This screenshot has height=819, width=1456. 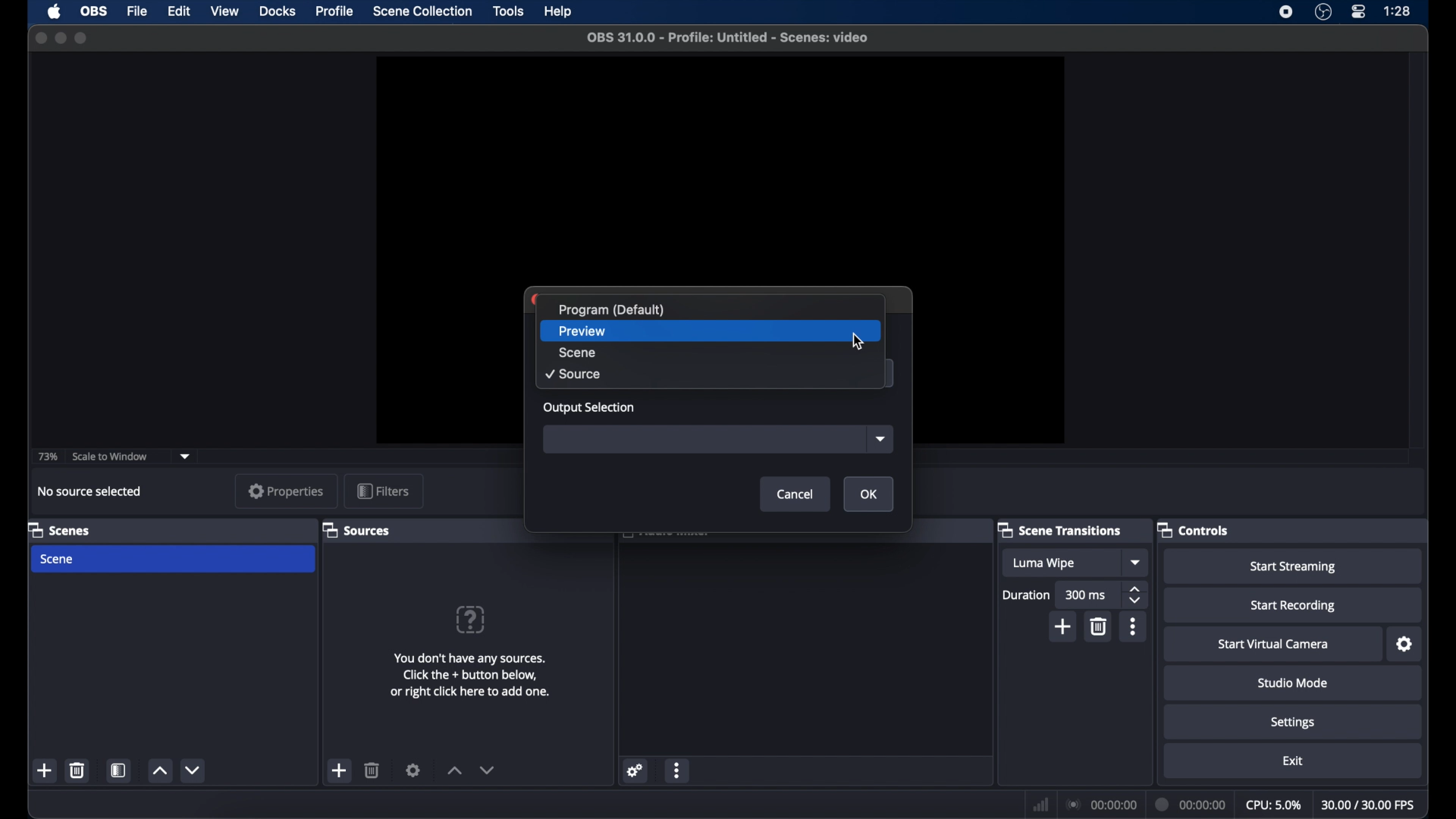 What do you see at coordinates (709, 353) in the screenshot?
I see `scene` at bounding box center [709, 353].